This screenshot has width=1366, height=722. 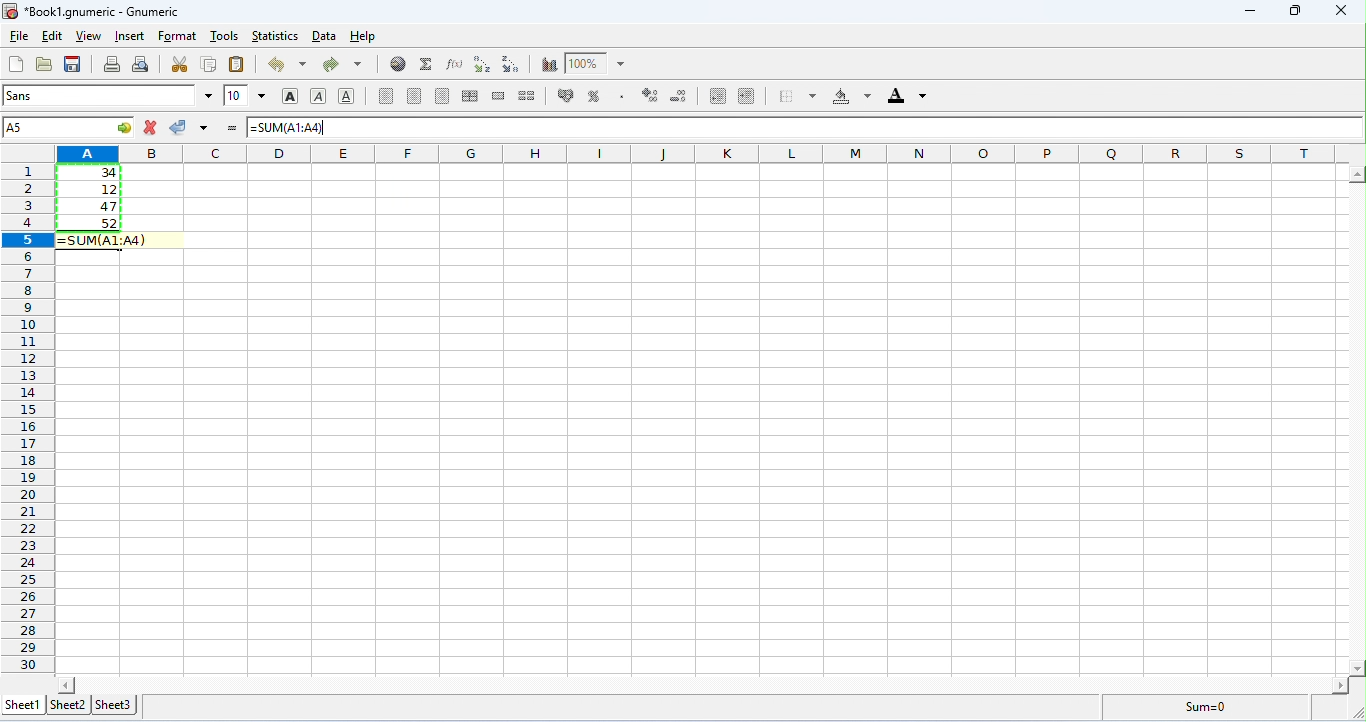 I want to click on center horizontally across the selection, so click(x=470, y=96).